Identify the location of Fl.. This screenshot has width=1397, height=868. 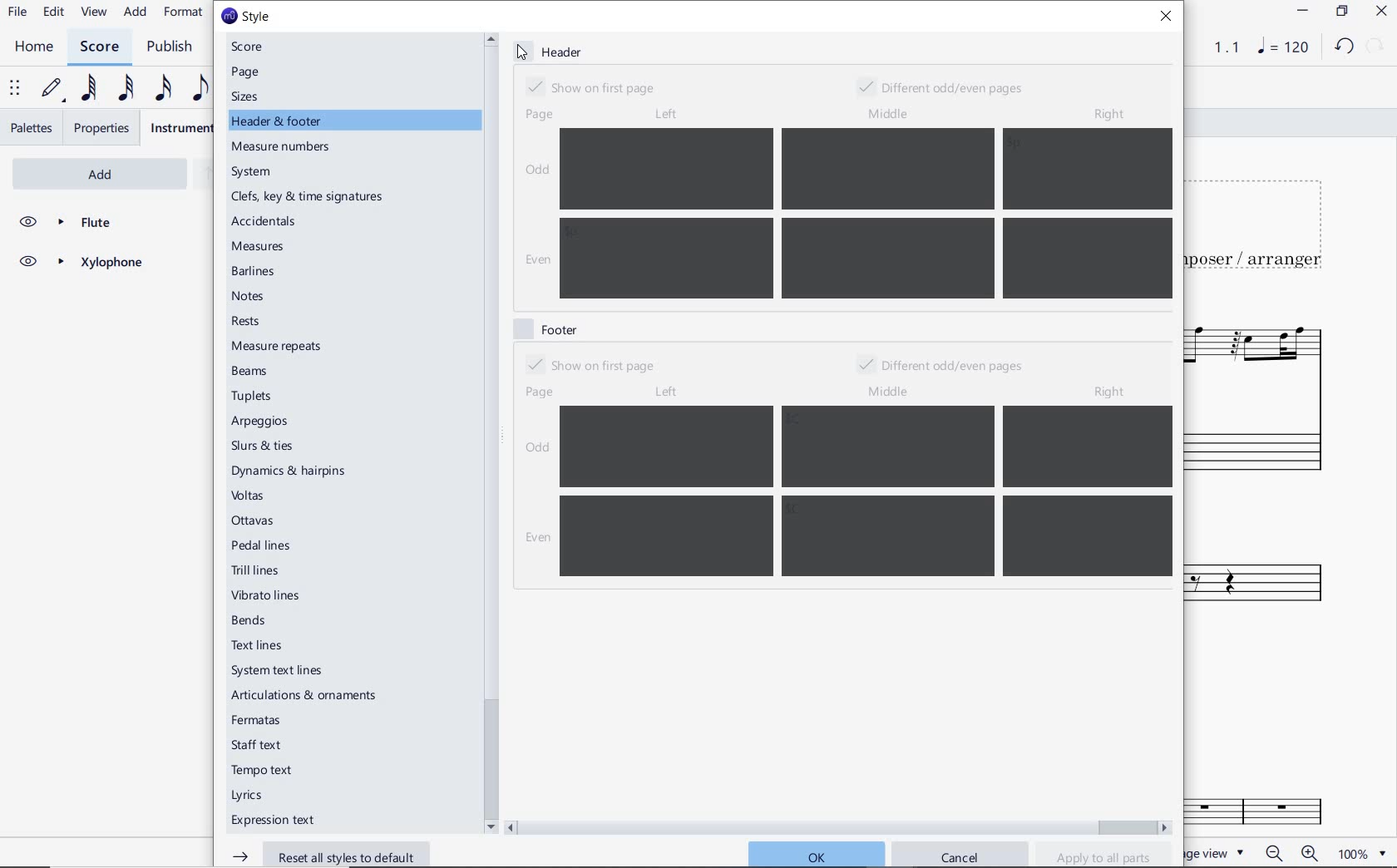
(1281, 806).